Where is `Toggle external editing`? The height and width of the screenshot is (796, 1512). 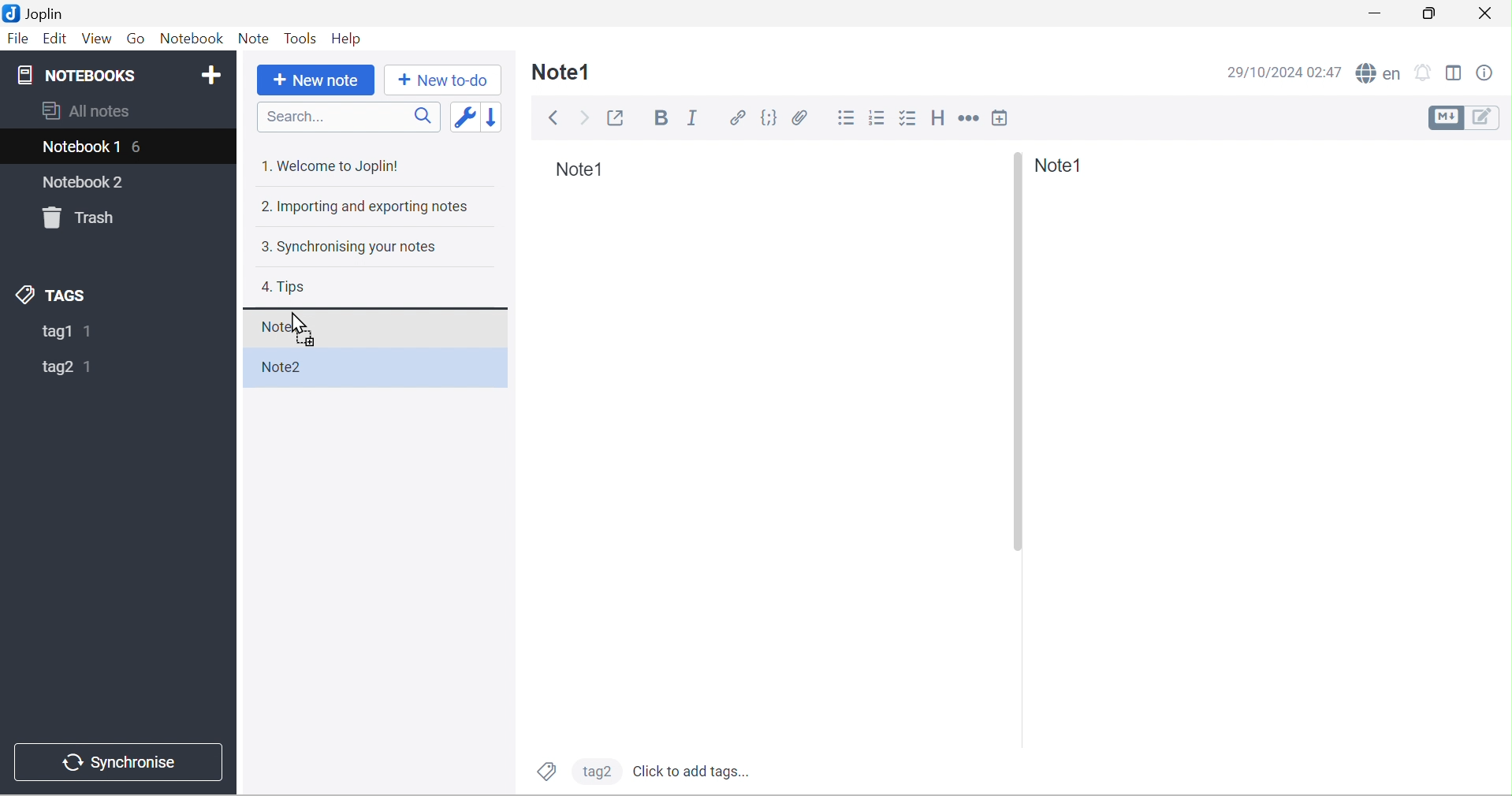
Toggle external editing is located at coordinates (616, 117).